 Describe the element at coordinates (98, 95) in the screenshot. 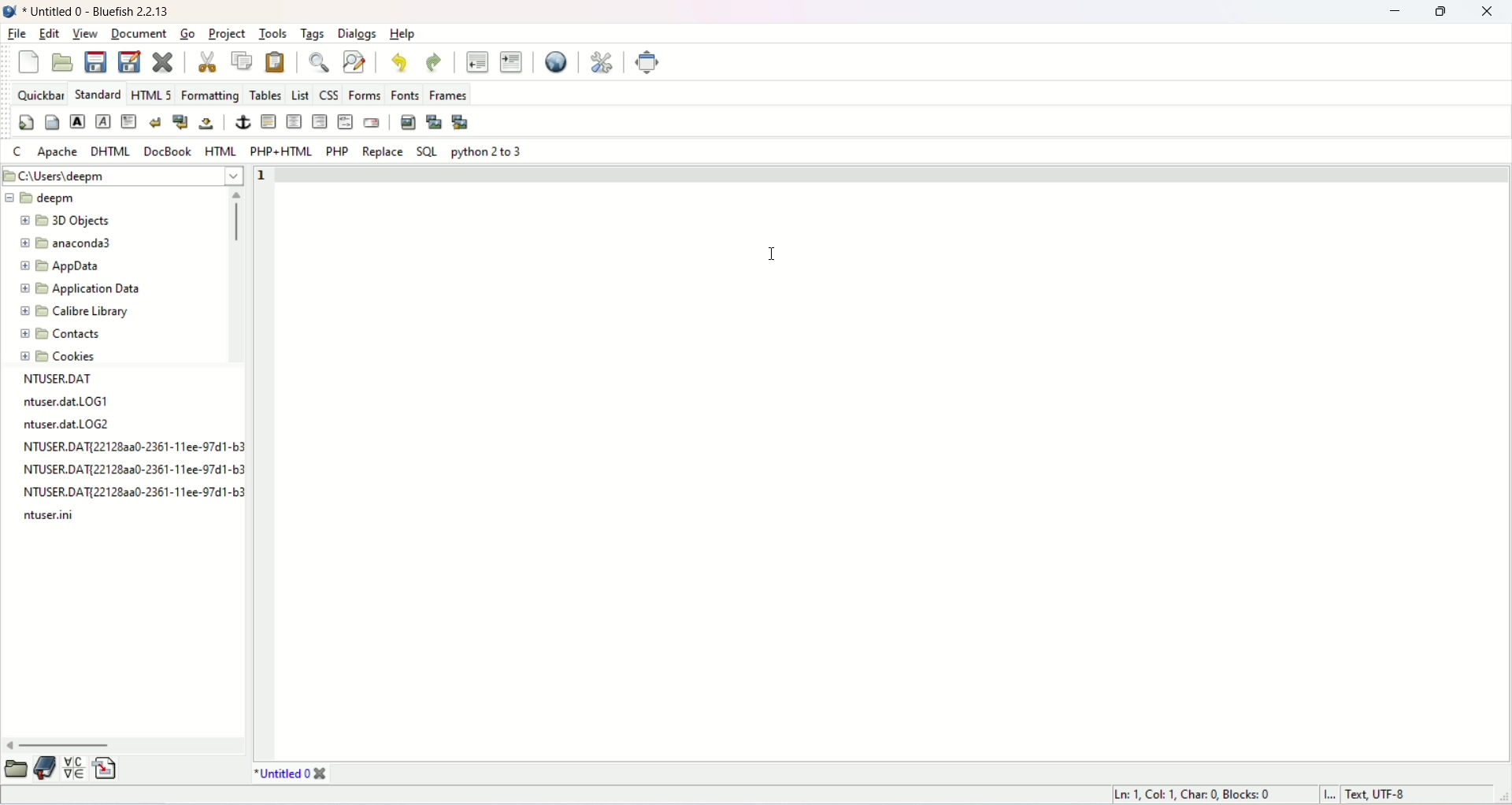

I see `standard` at that location.